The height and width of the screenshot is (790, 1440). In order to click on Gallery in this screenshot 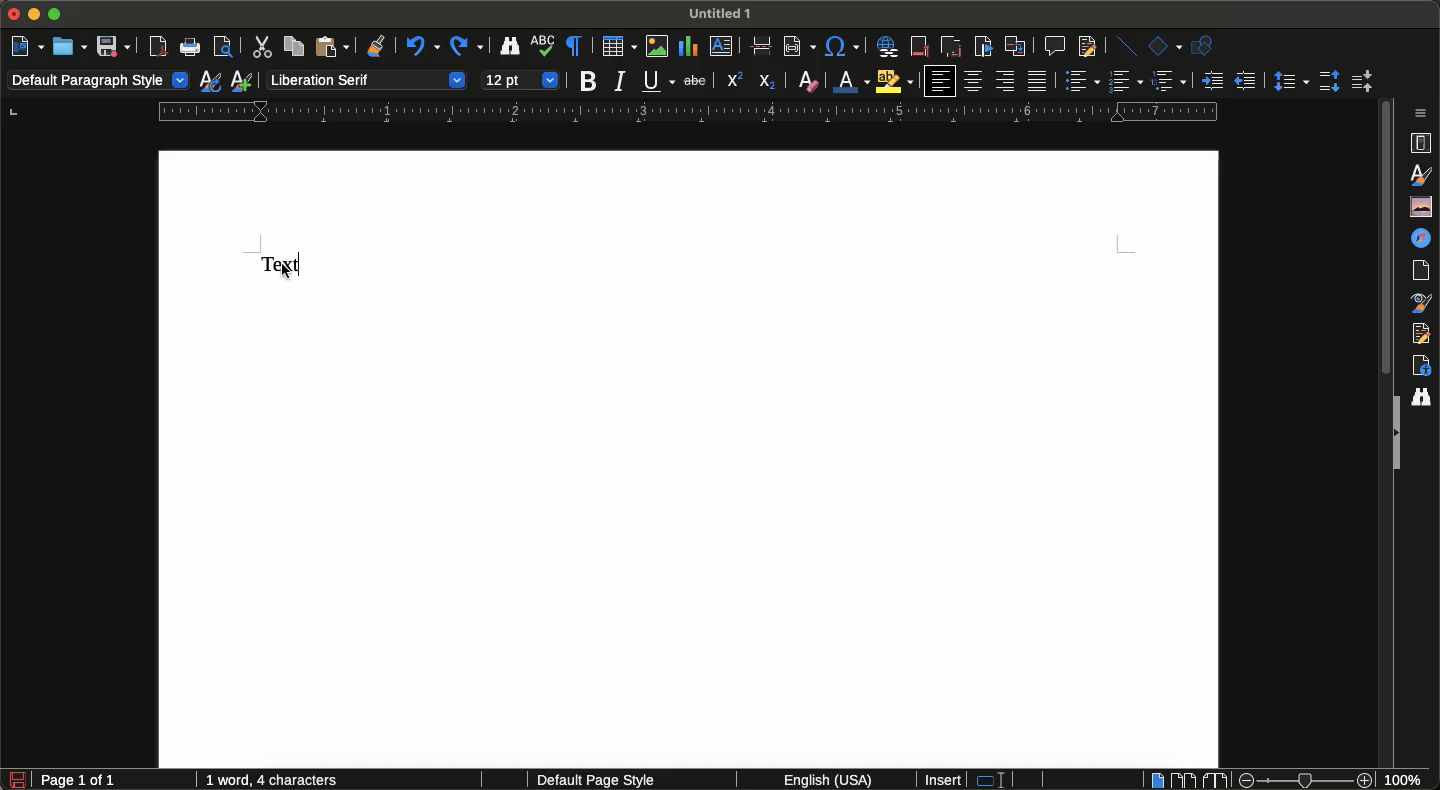, I will do `click(1418, 206)`.